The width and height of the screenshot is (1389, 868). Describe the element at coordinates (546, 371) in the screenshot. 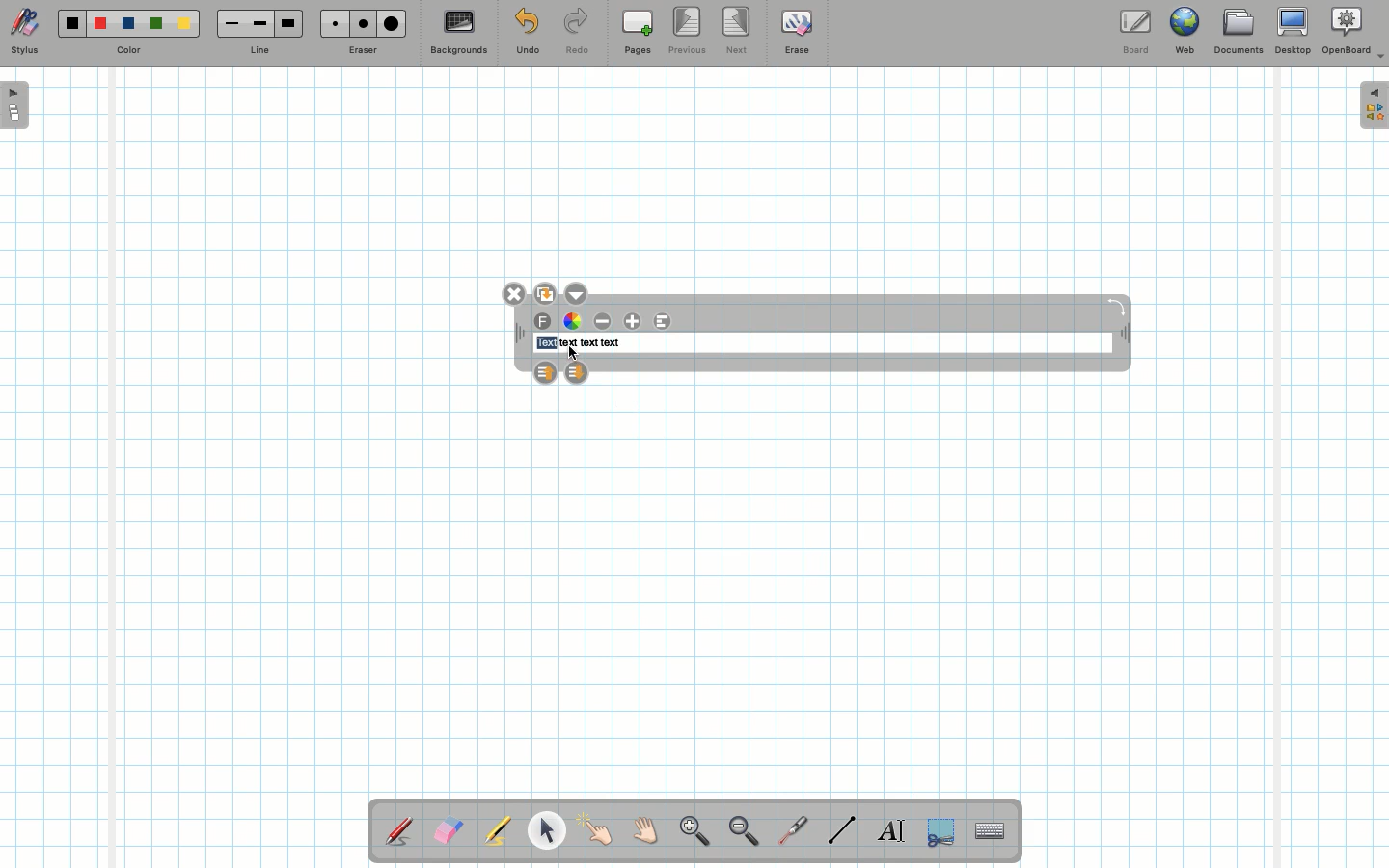

I see `Layer up` at that location.